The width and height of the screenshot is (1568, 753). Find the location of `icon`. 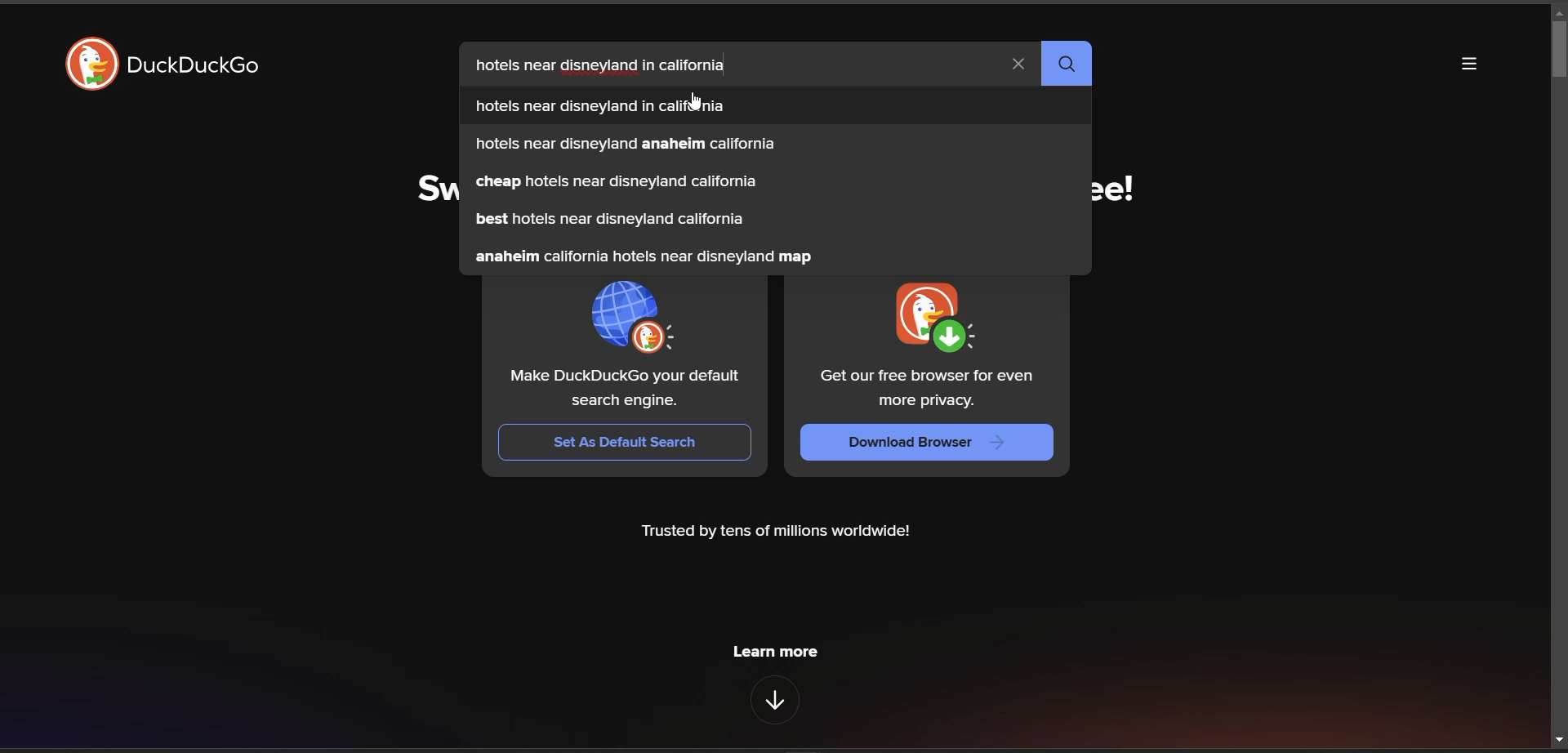

icon is located at coordinates (87, 64).